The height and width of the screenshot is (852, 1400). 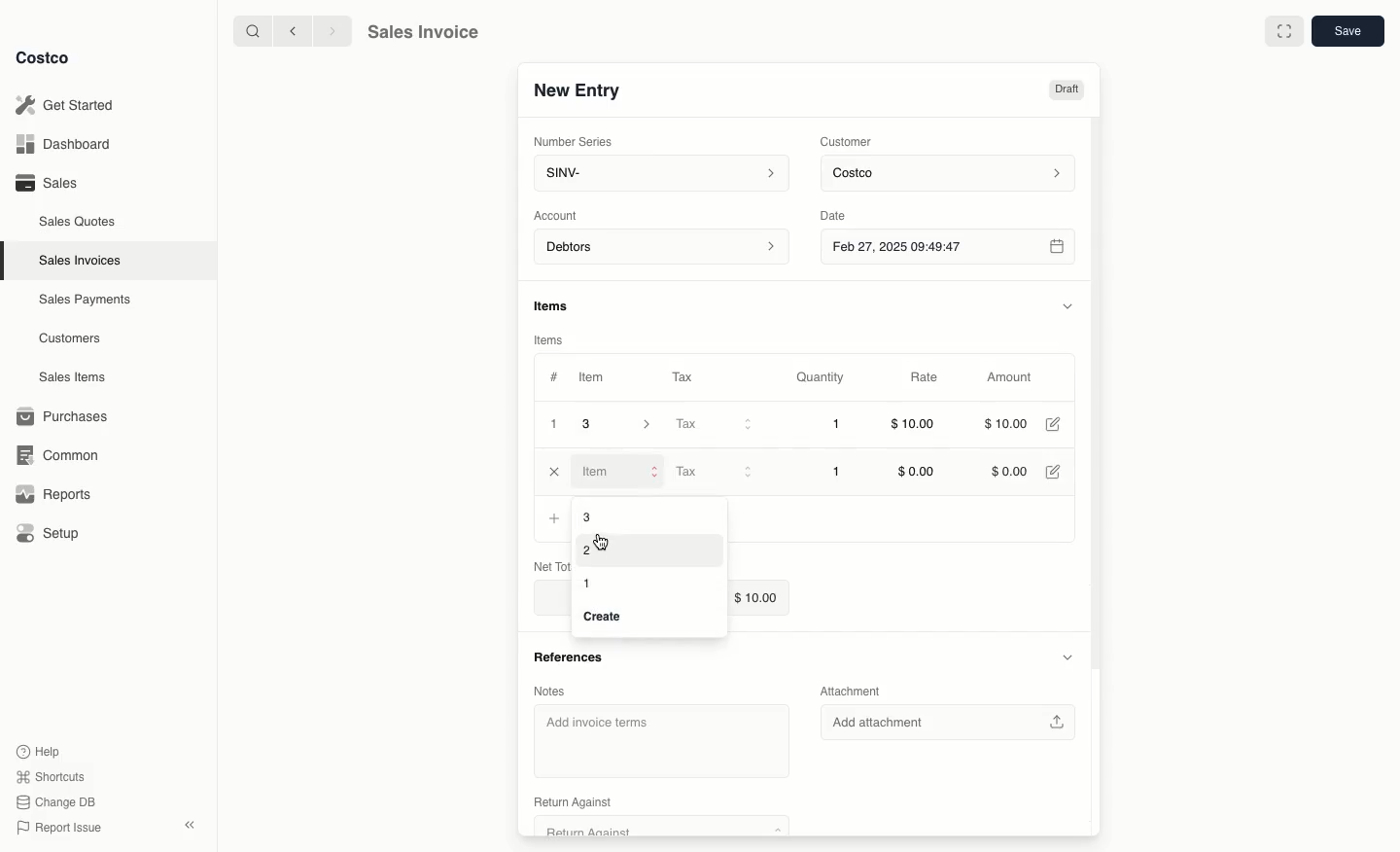 I want to click on 3, so click(x=622, y=424).